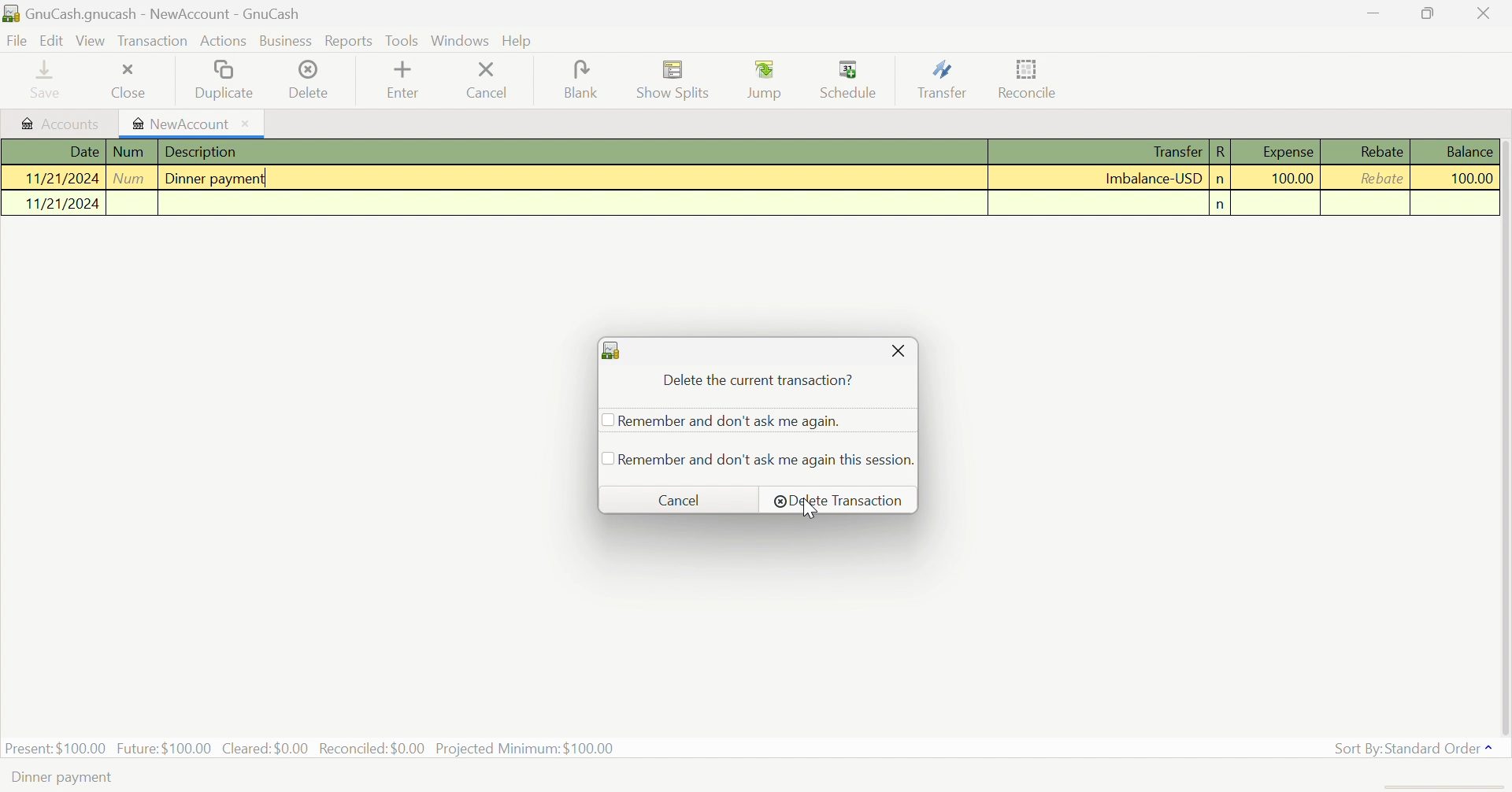  I want to click on Num, so click(131, 178).